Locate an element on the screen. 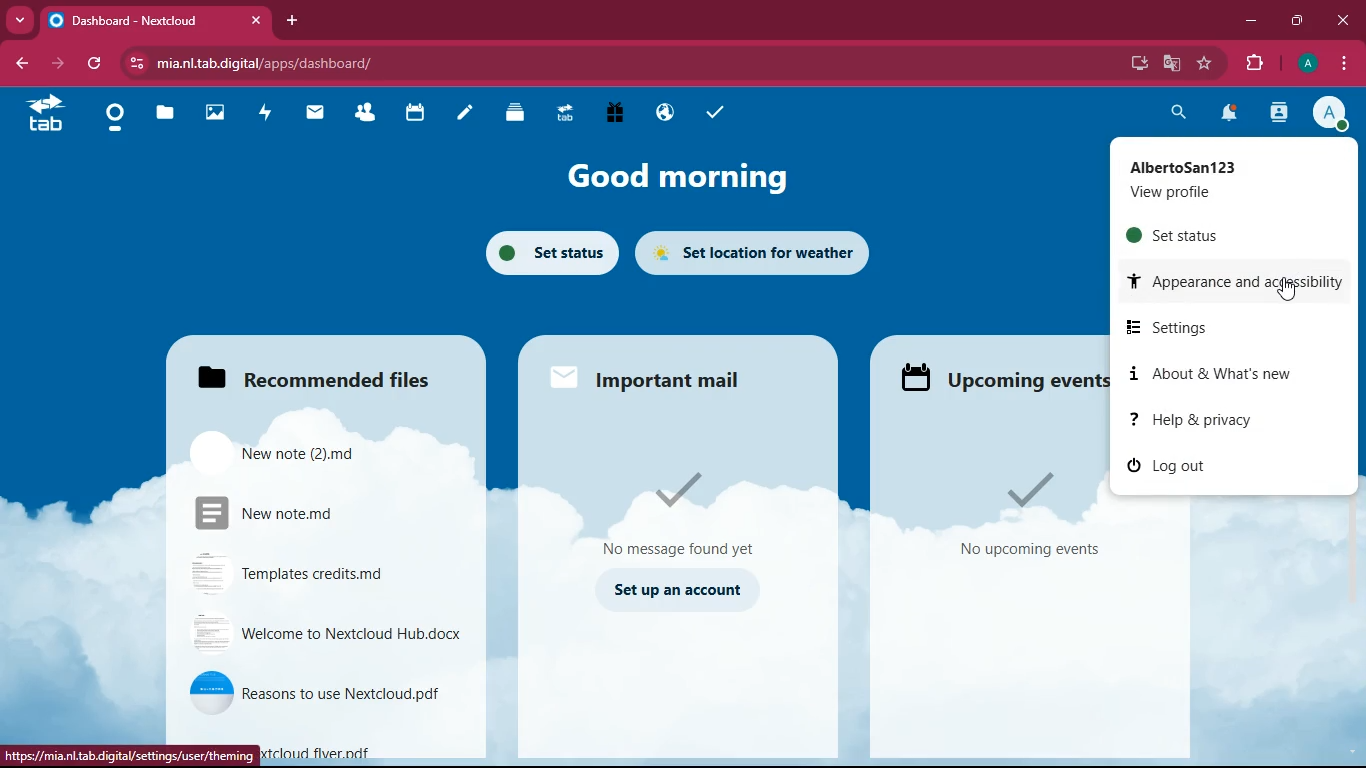 The image size is (1366, 768). refresh is located at coordinates (100, 64).